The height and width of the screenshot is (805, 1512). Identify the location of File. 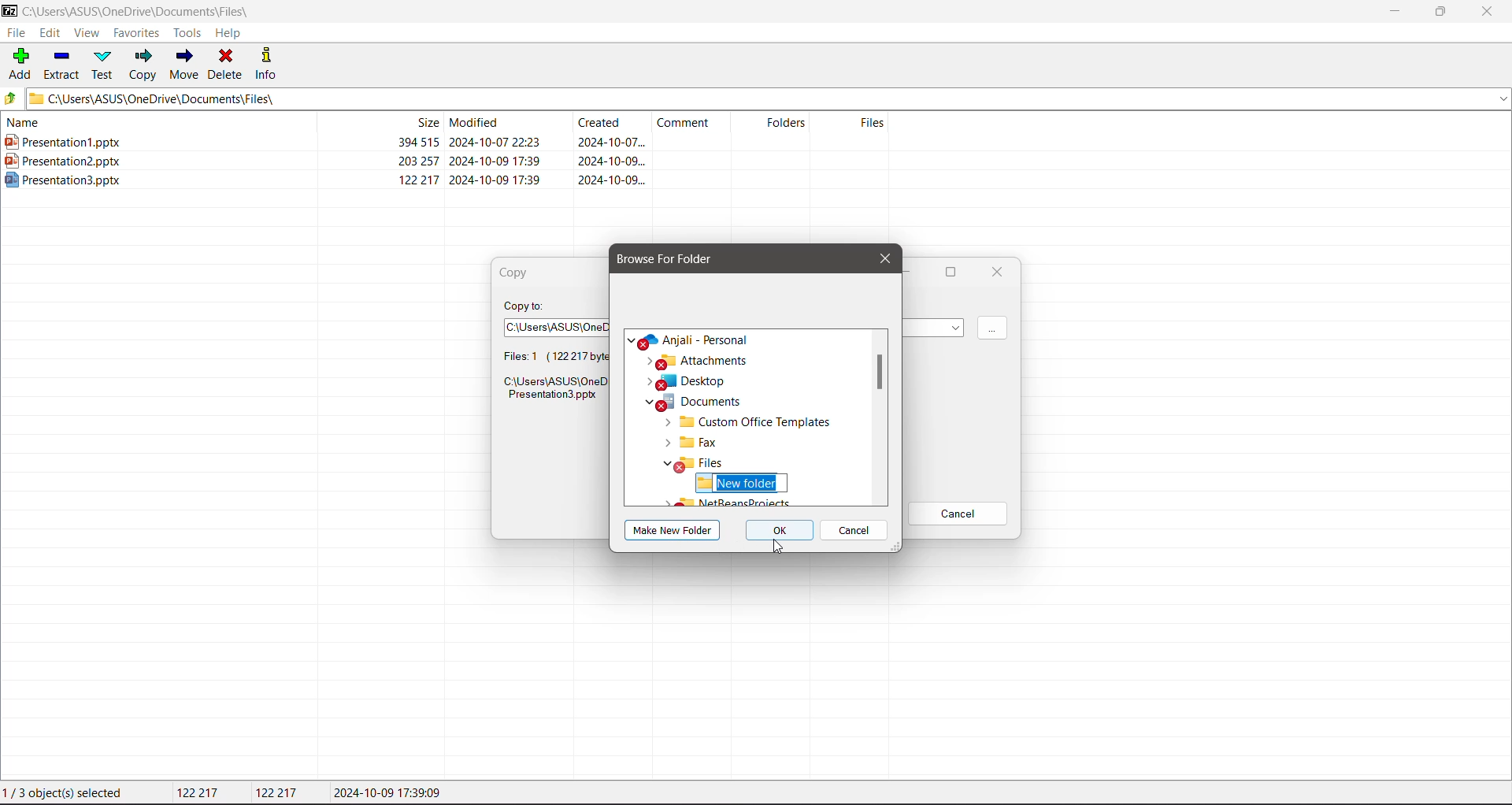
(17, 32).